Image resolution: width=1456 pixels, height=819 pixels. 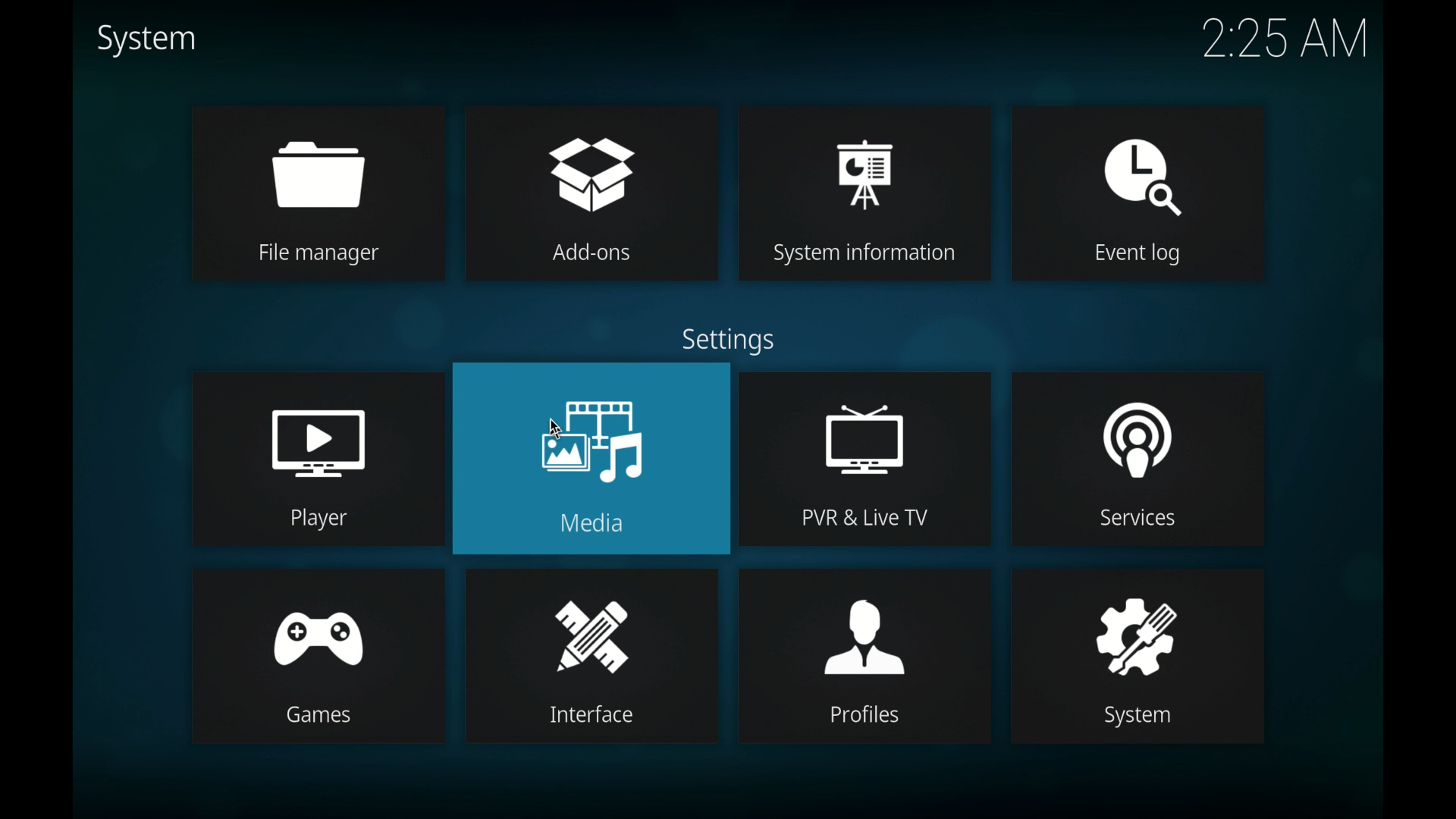 I want to click on file manager, so click(x=320, y=162).